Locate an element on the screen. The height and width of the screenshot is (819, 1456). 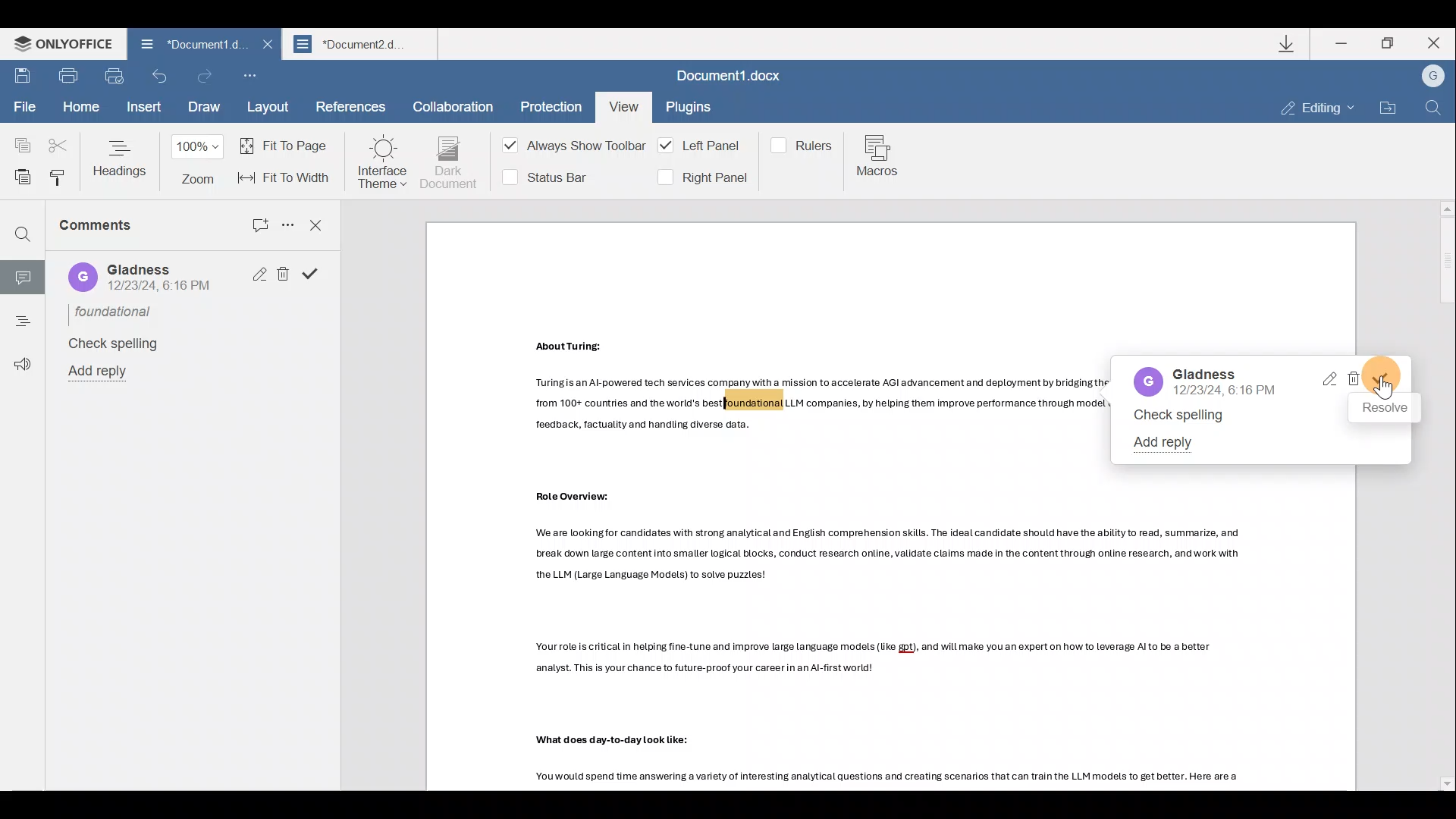
 is located at coordinates (618, 740).